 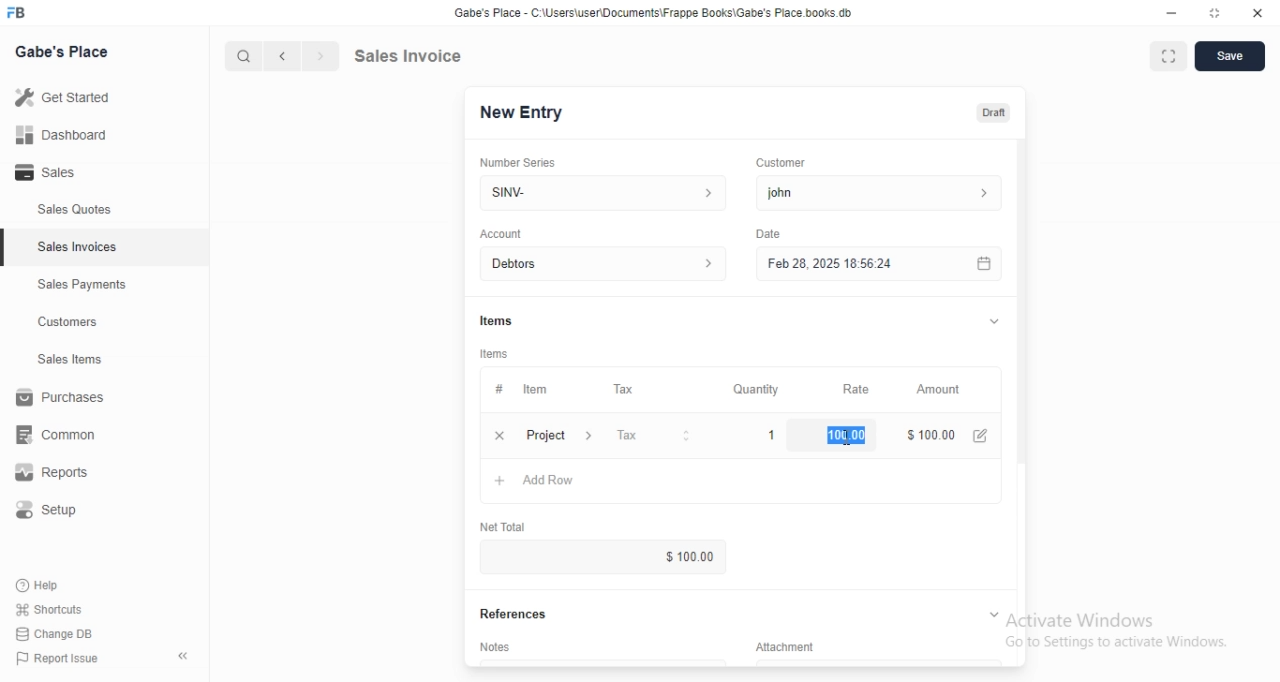 What do you see at coordinates (64, 662) in the screenshot?
I see `PP Report Issue.` at bounding box center [64, 662].